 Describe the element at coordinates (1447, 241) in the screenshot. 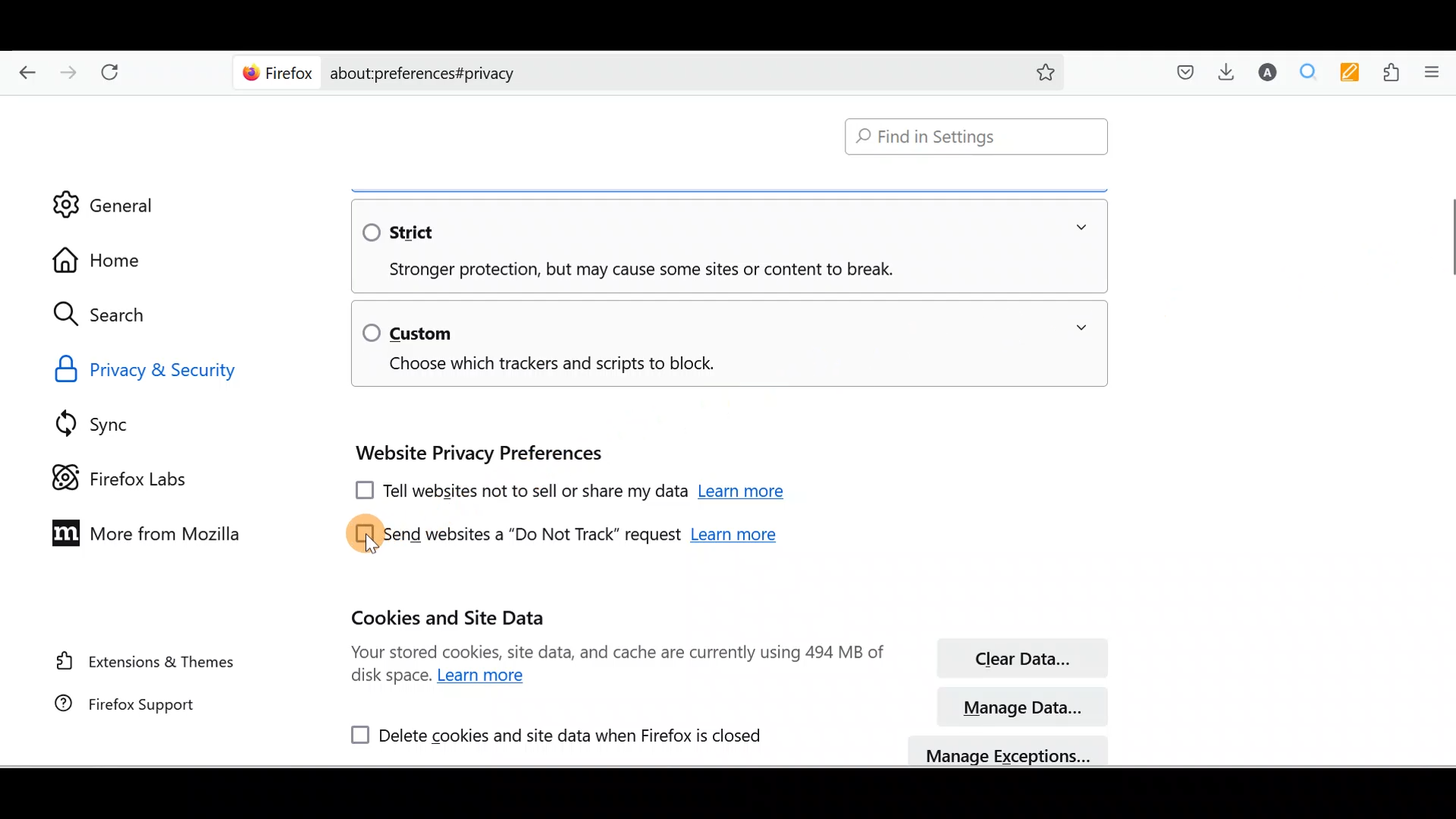

I see `Vertical scrollbar` at that location.